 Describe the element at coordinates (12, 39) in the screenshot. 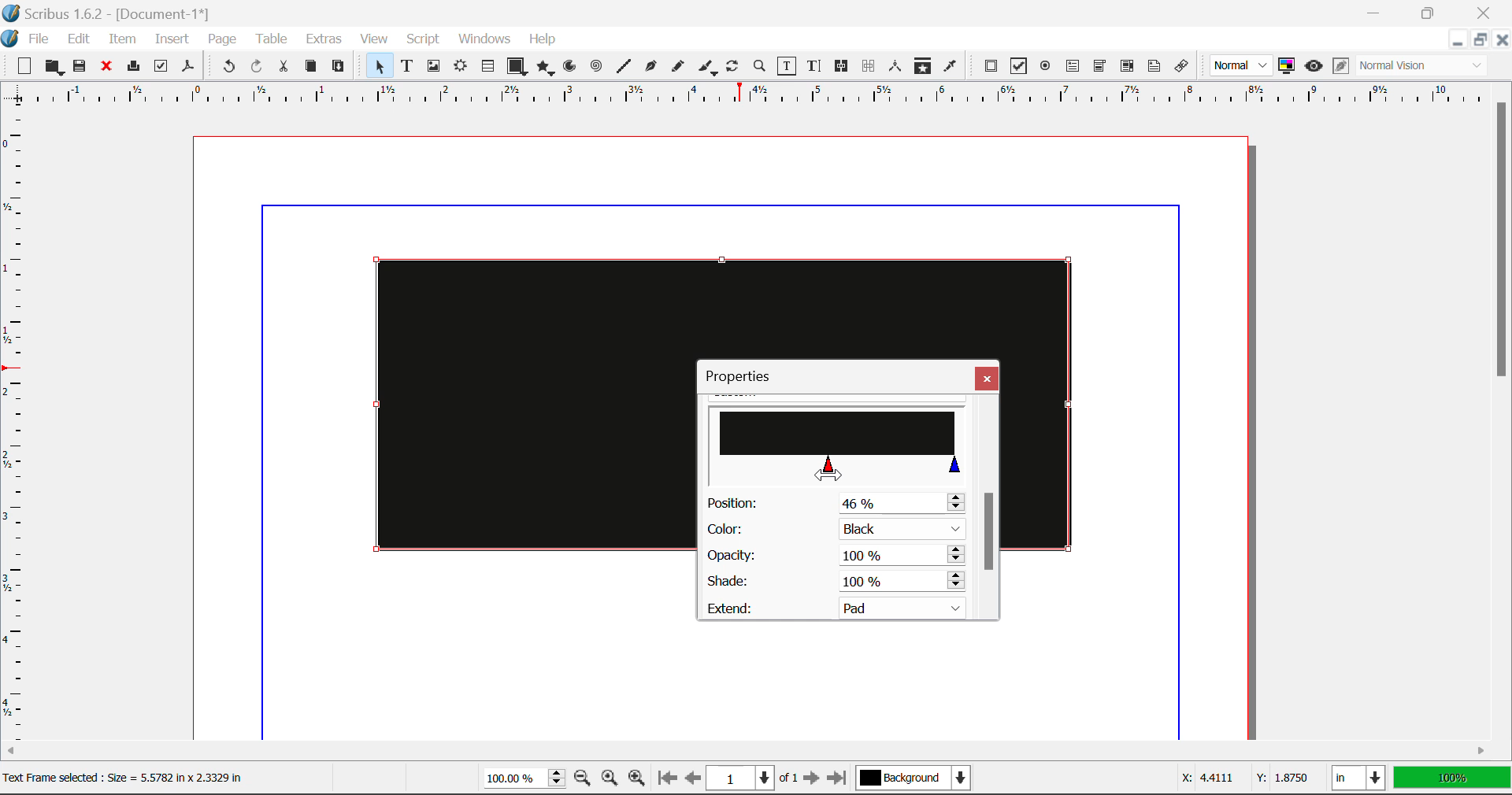

I see `scribus logo` at that location.